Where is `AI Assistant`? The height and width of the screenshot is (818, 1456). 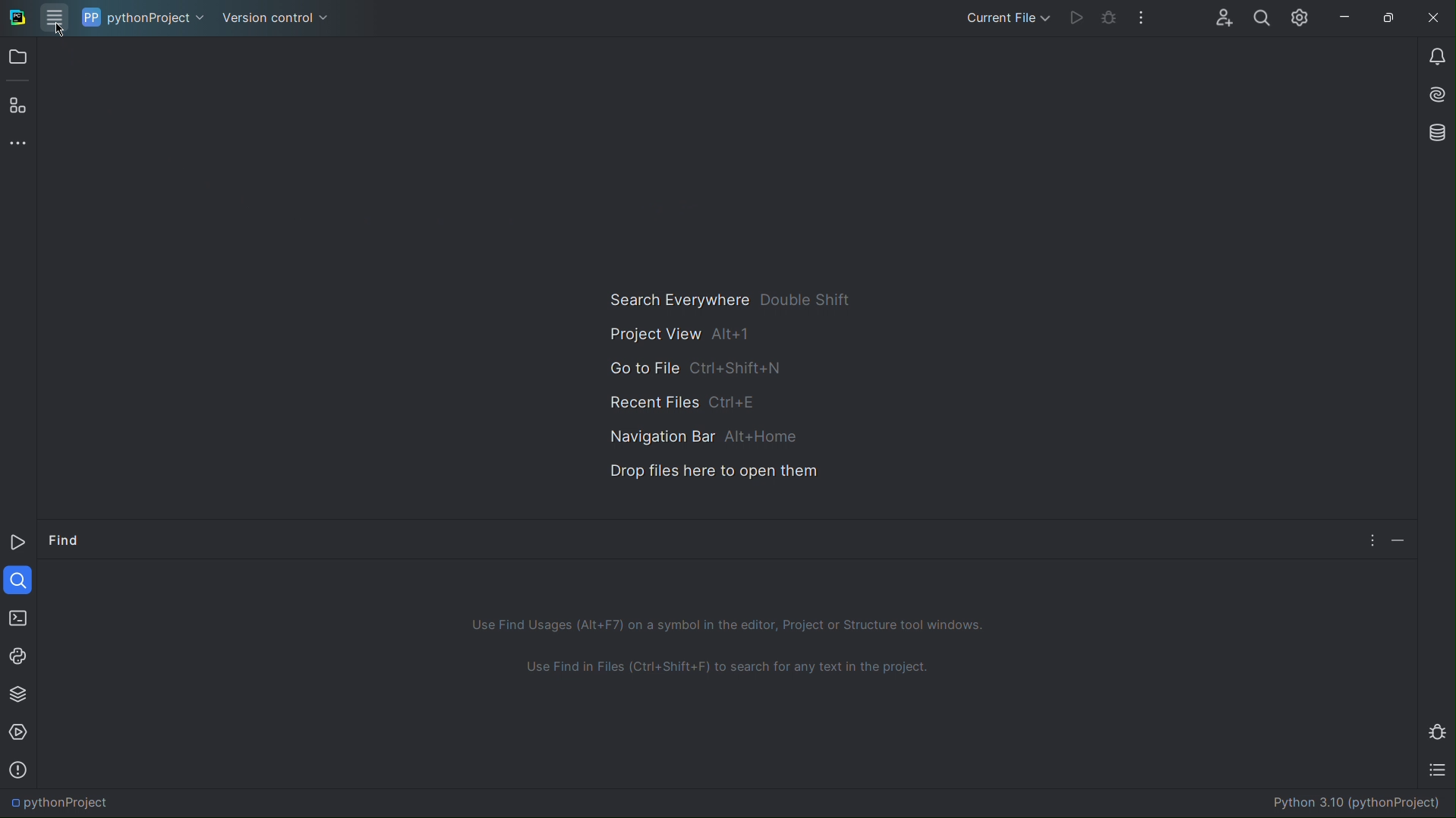
AI Assistant is located at coordinates (1434, 96).